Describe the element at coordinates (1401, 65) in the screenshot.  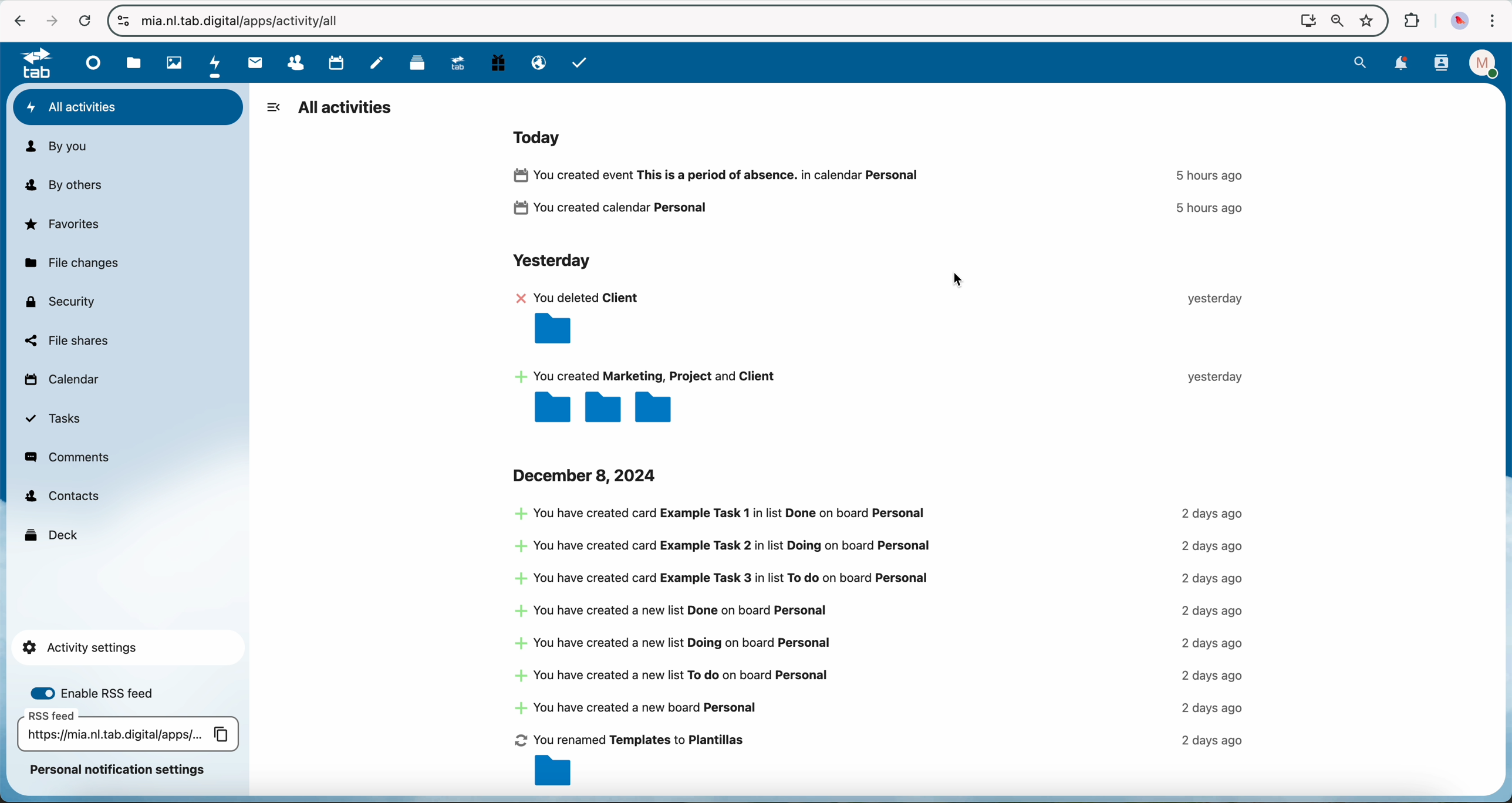
I see `notifications` at that location.